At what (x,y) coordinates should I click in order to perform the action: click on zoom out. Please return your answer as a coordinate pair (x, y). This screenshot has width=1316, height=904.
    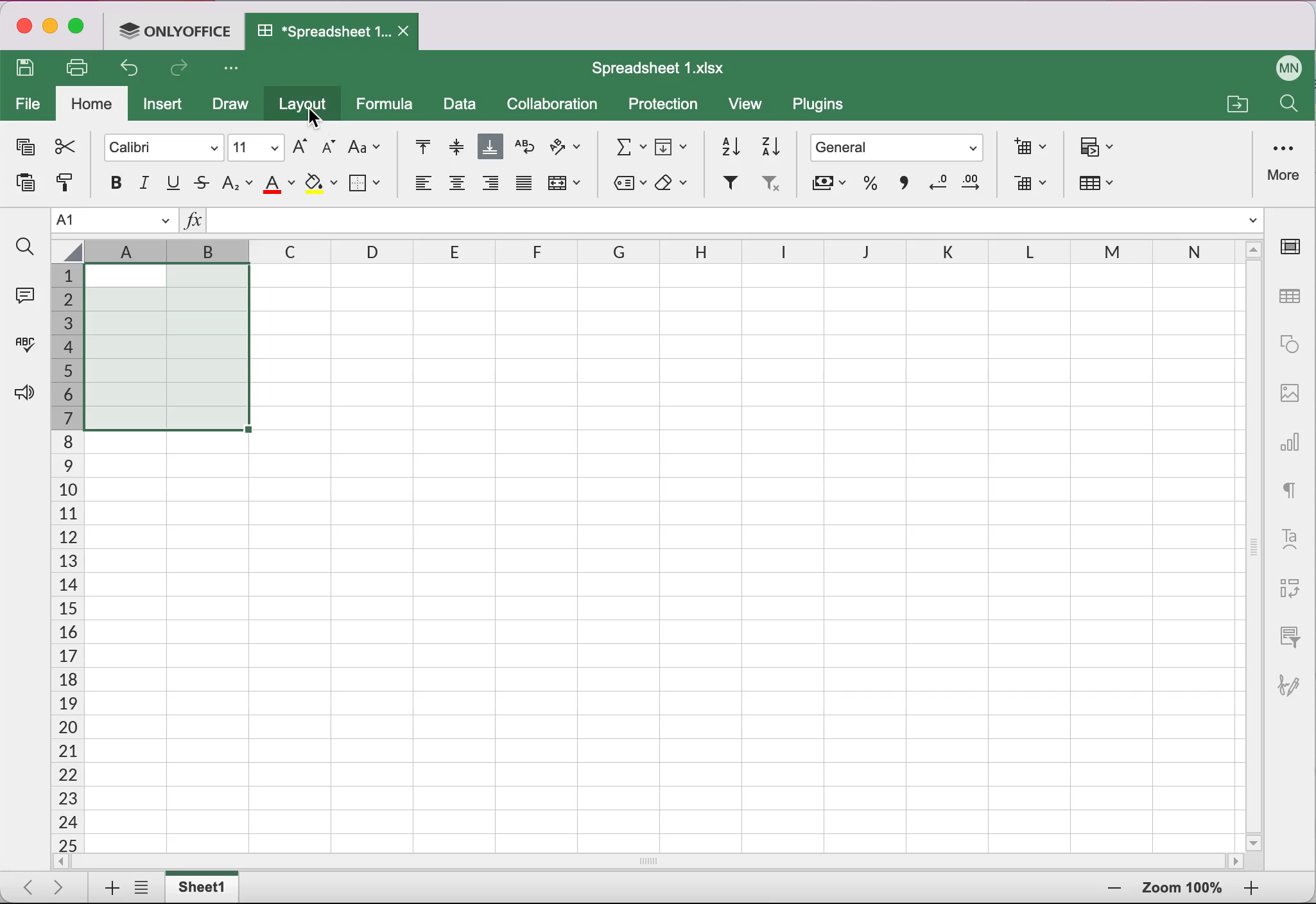
    Looking at the image, I should click on (1251, 889).